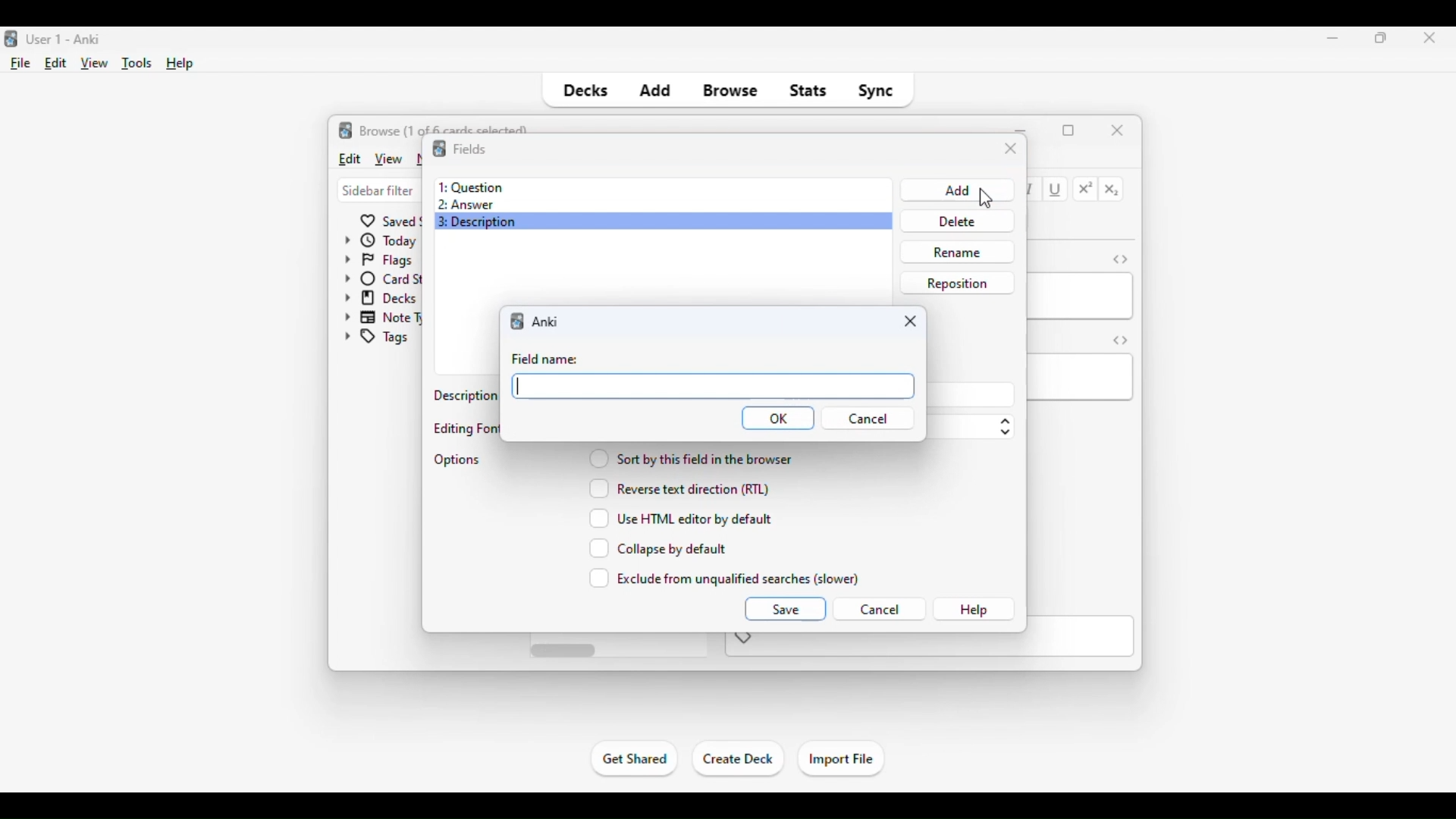  I want to click on add, so click(654, 91).